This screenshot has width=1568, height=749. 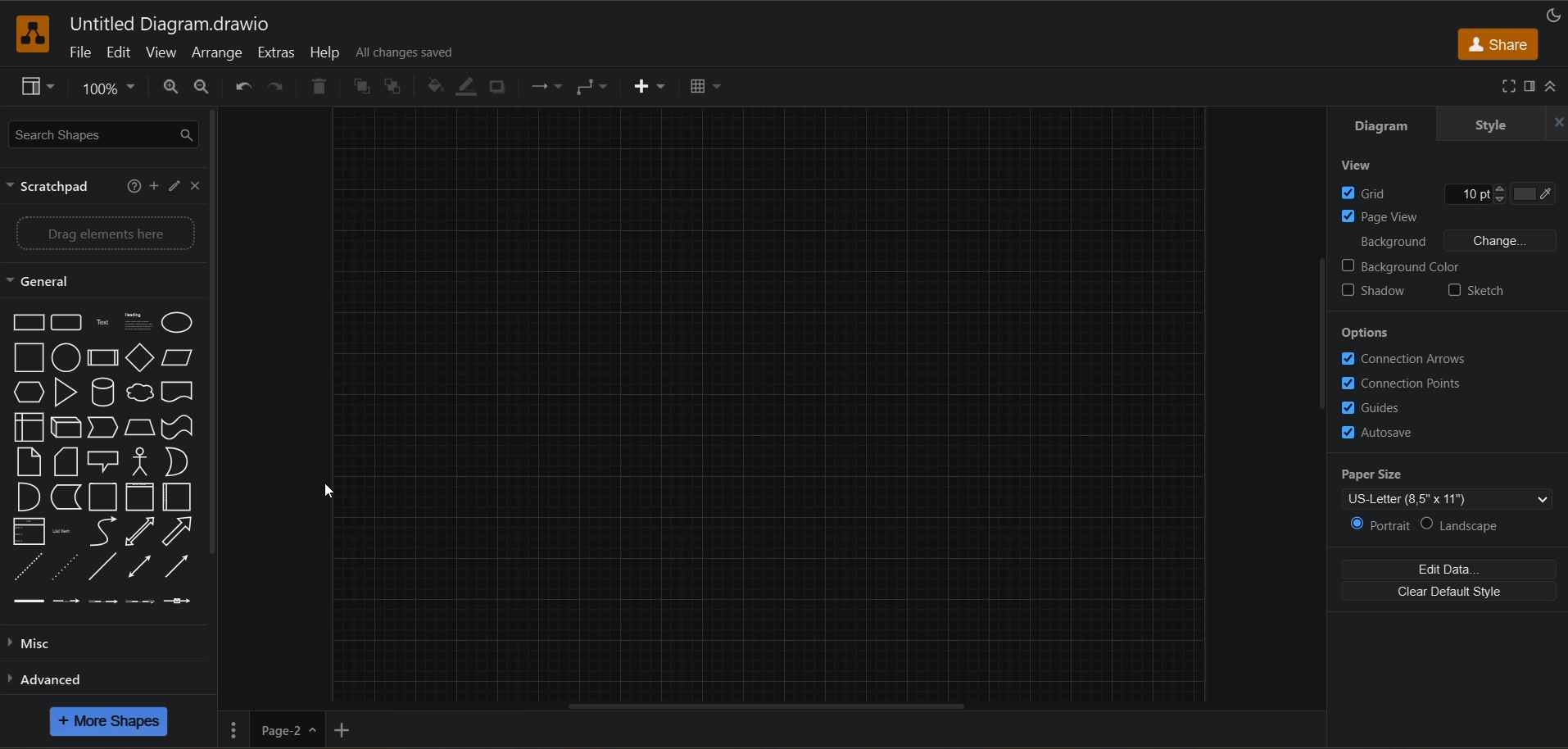 What do you see at coordinates (593, 87) in the screenshot?
I see `waypoints` at bounding box center [593, 87].